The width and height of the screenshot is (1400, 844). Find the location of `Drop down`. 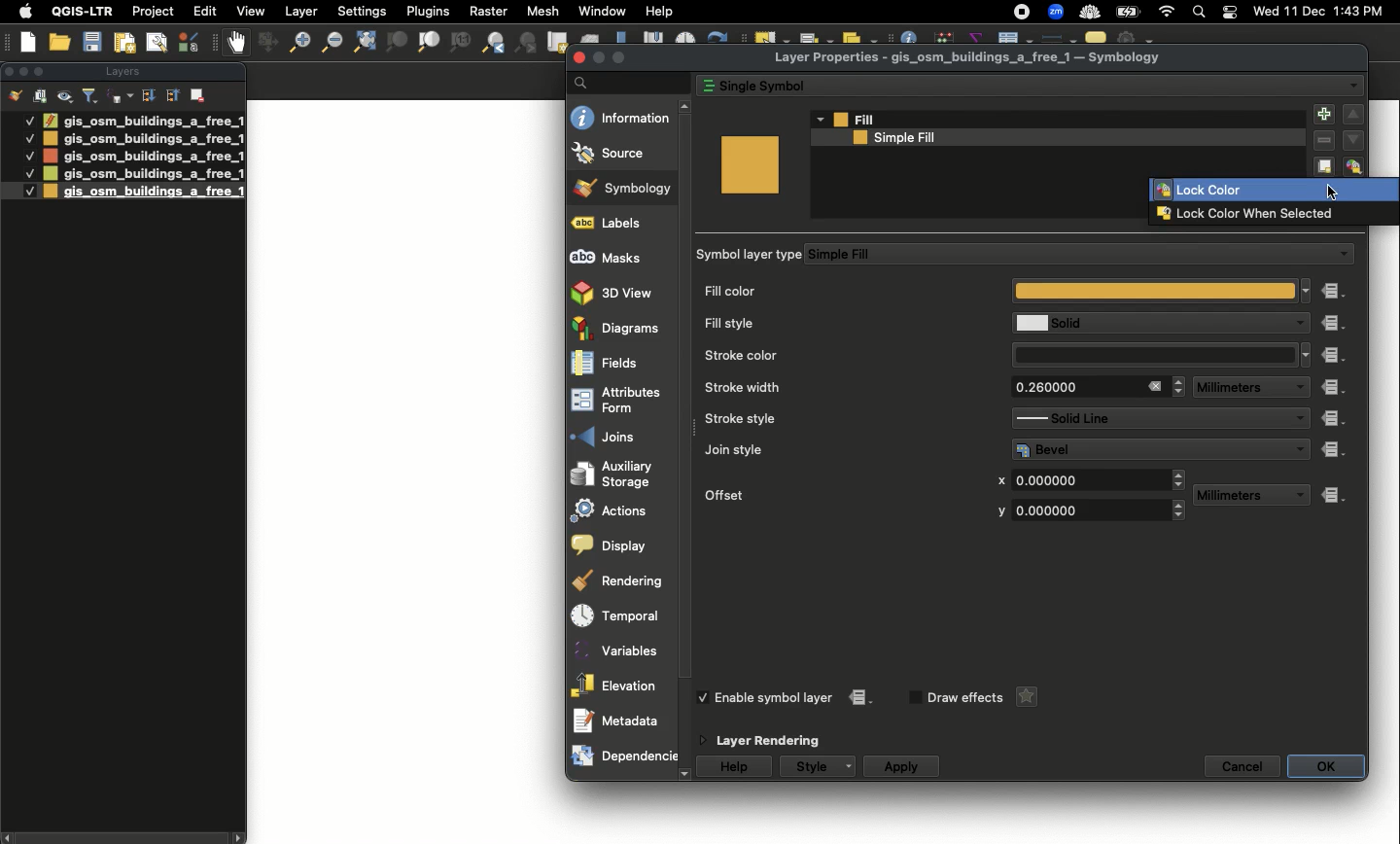

Drop down is located at coordinates (1307, 355).